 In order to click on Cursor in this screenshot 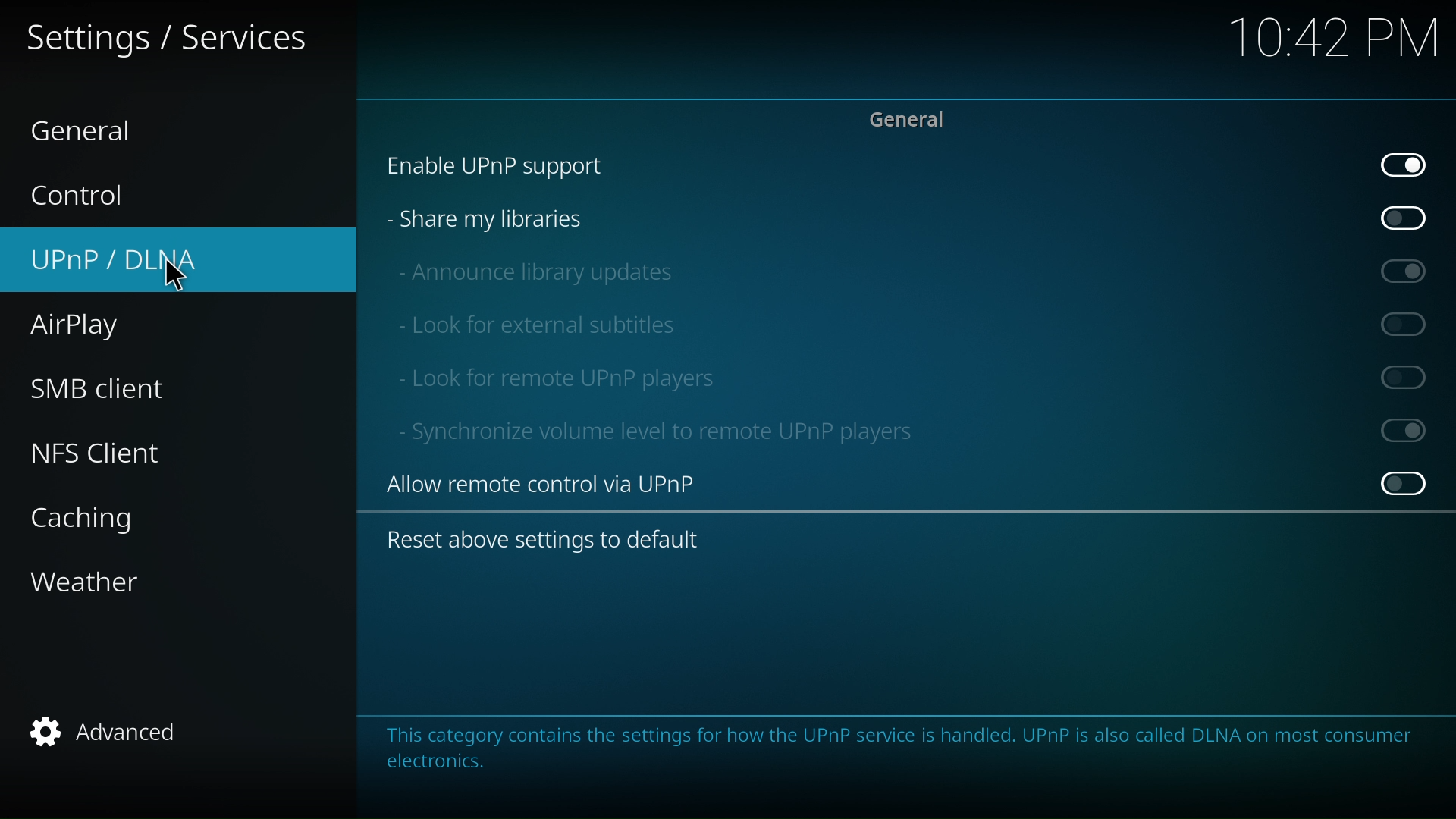, I will do `click(188, 277)`.